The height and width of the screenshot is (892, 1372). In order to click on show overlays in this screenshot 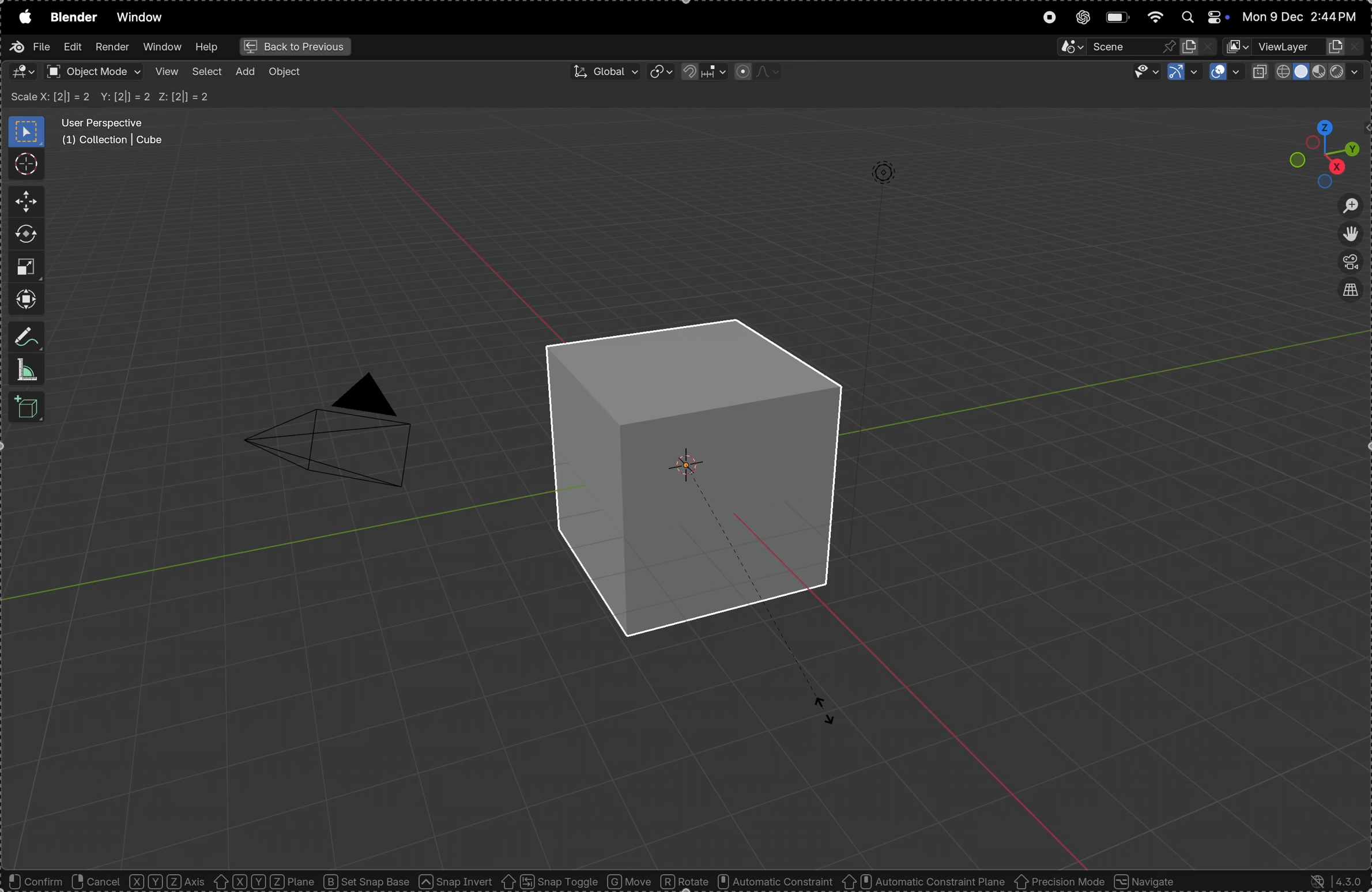, I will do `click(1225, 73)`.